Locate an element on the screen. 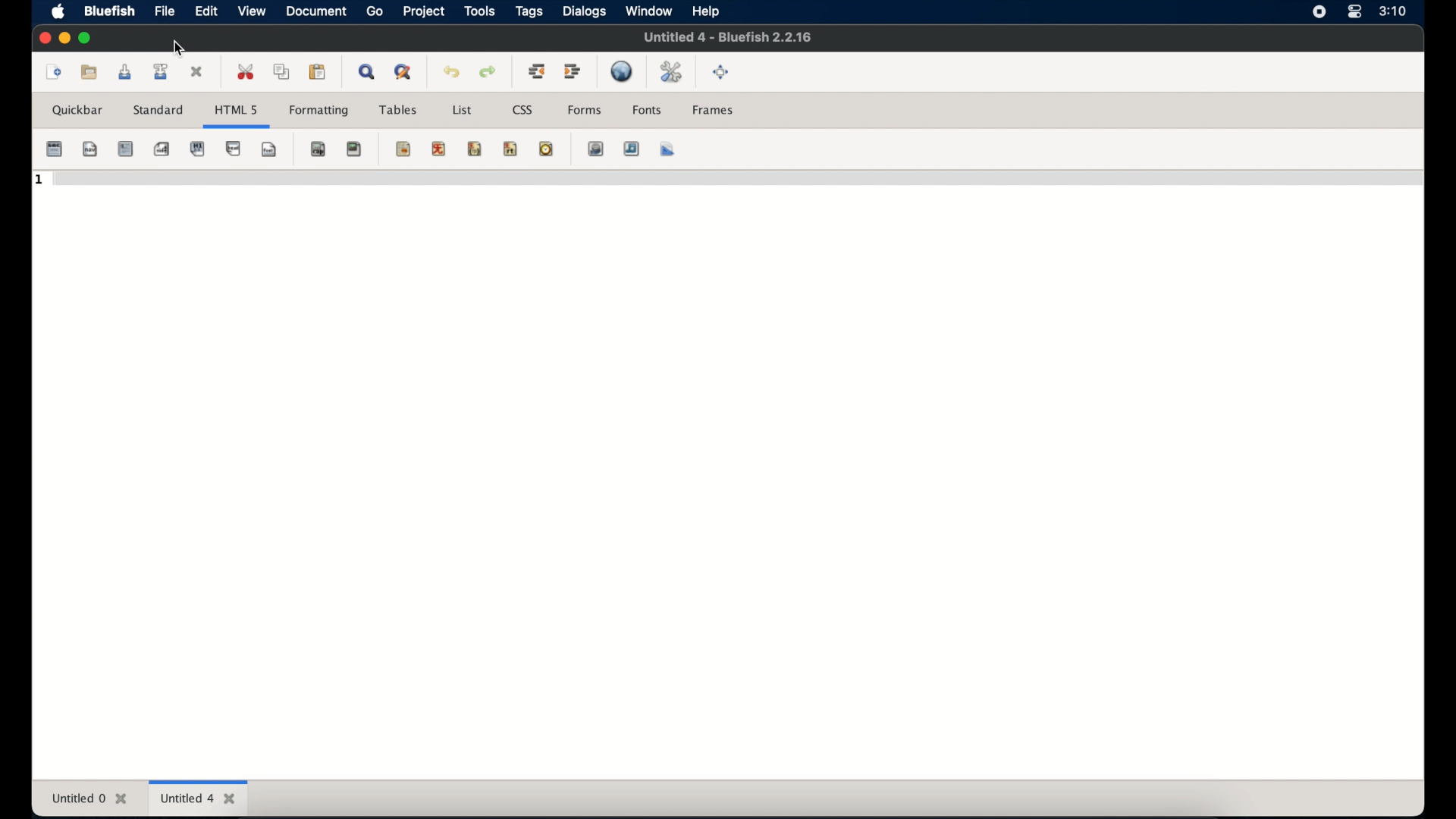  tables is located at coordinates (398, 110).